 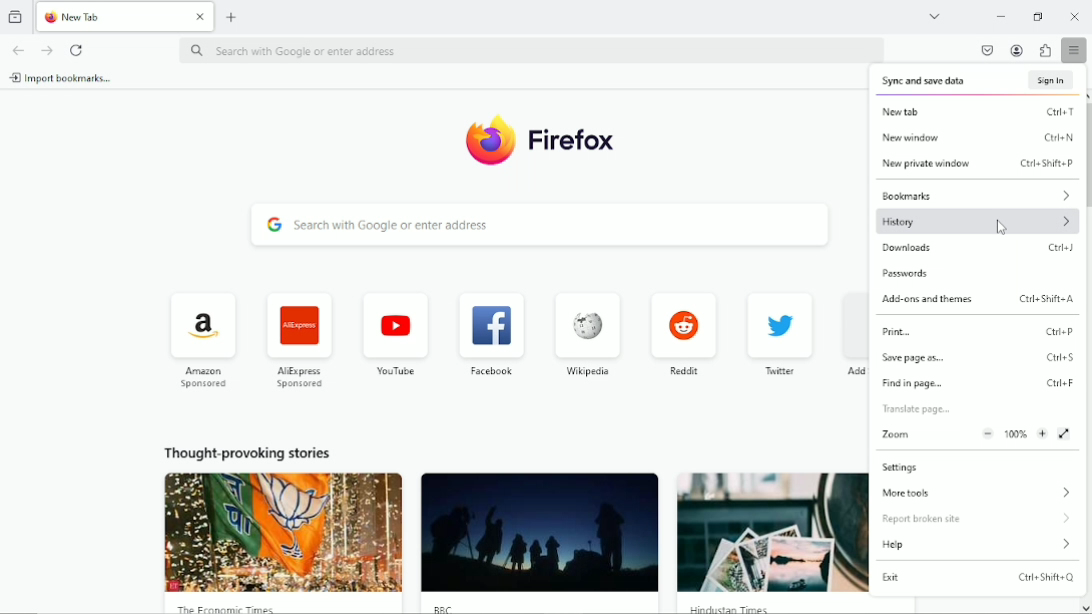 What do you see at coordinates (446, 607) in the screenshot?
I see `BBC` at bounding box center [446, 607].